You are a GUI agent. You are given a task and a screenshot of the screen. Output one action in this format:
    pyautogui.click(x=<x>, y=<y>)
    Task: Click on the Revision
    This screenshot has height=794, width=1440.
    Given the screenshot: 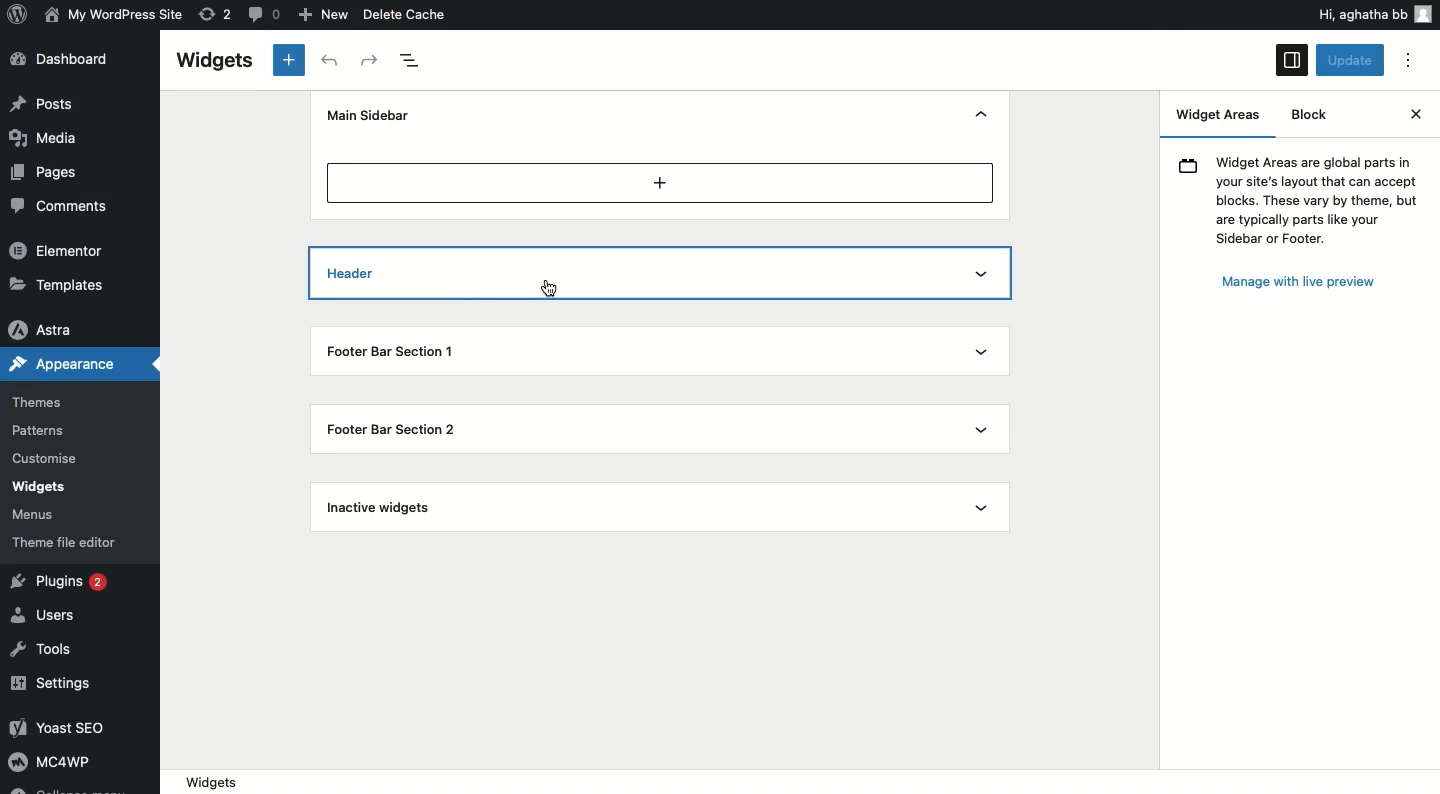 What is the action you would take?
    pyautogui.click(x=216, y=13)
    